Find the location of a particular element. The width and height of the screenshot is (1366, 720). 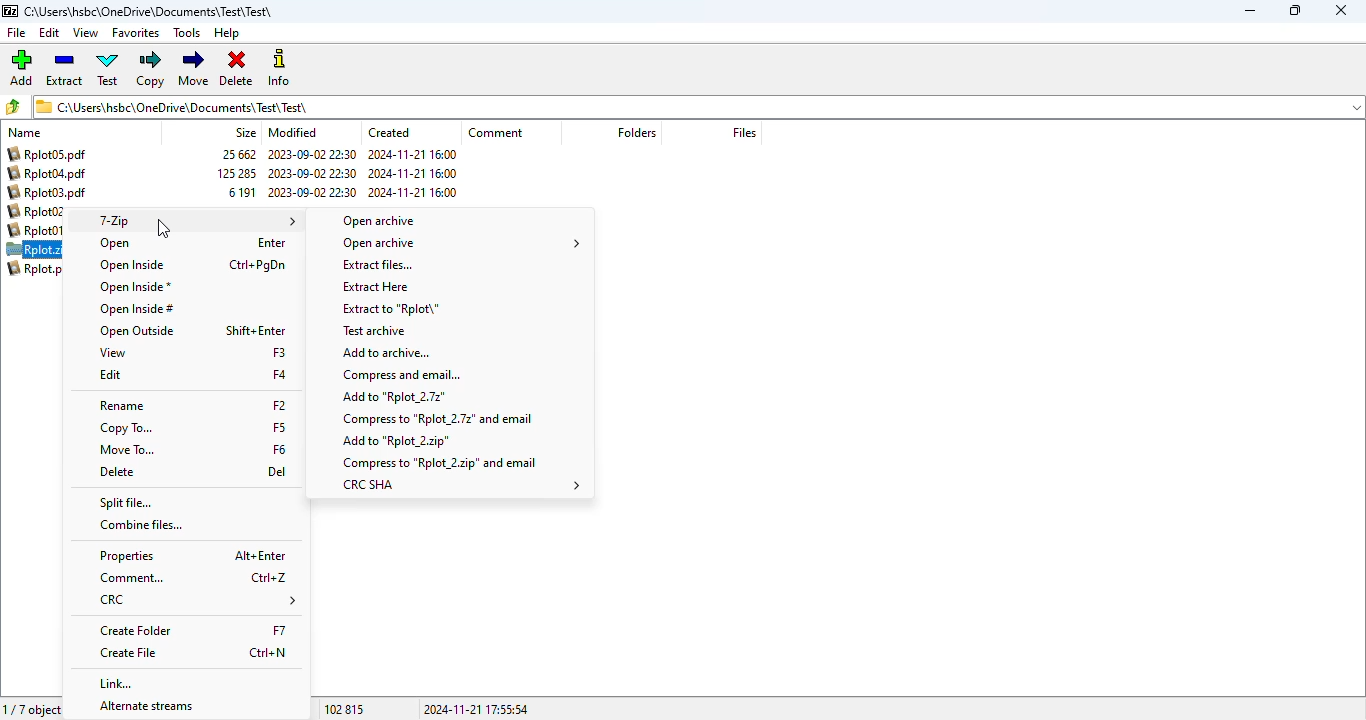

Rplot03.pdf is located at coordinates (50, 192).